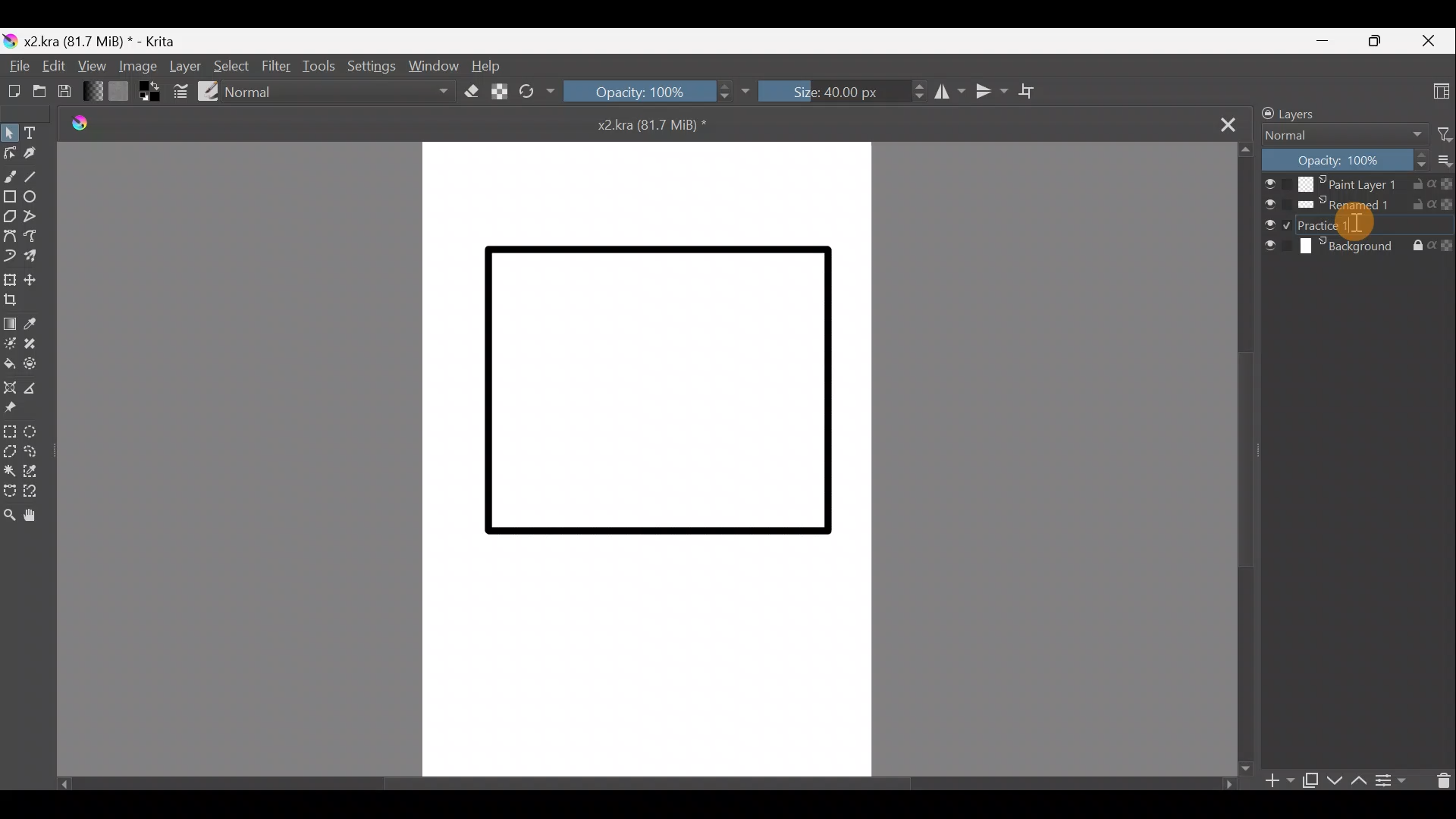 This screenshot has height=819, width=1456. Describe the element at coordinates (11, 237) in the screenshot. I see `Bezier curve tool` at that location.